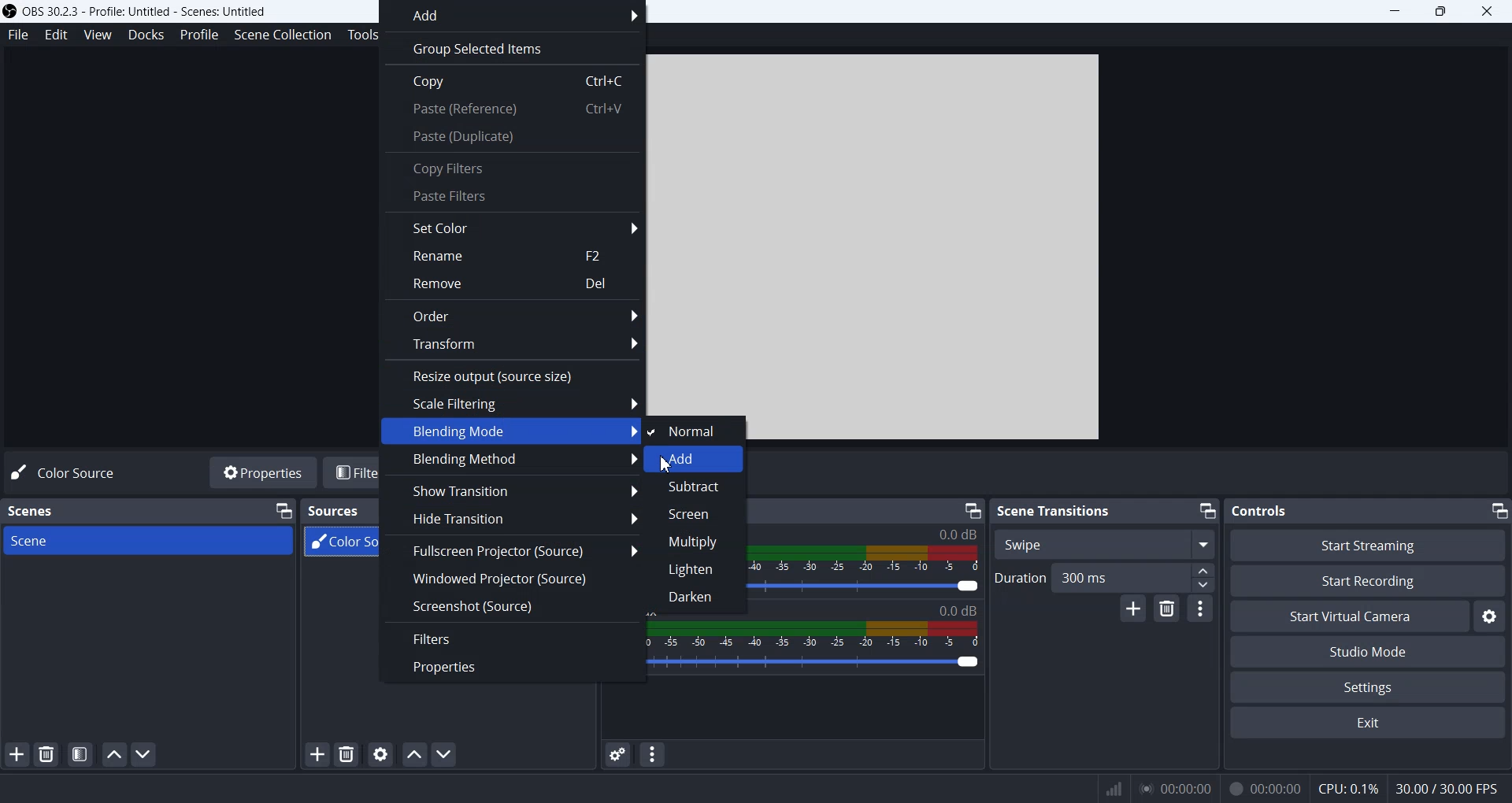 The image size is (1512, 803). What do you see at coordinates (97, 34) in the screenshot?
I see `View` at bounding box center [97, 34].